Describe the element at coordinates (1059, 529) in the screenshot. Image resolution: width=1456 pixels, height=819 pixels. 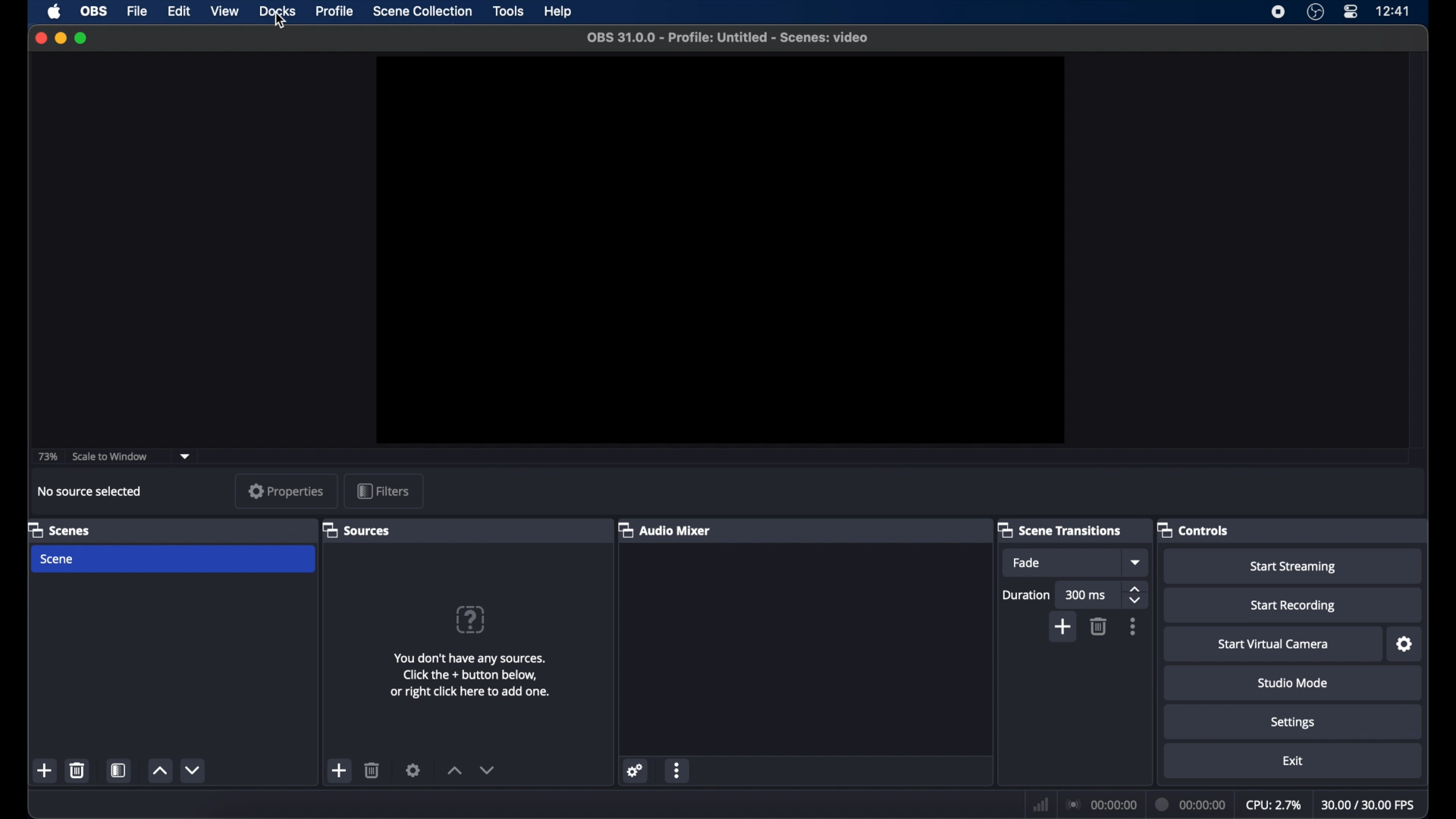
I see `scene transitions` at that location.